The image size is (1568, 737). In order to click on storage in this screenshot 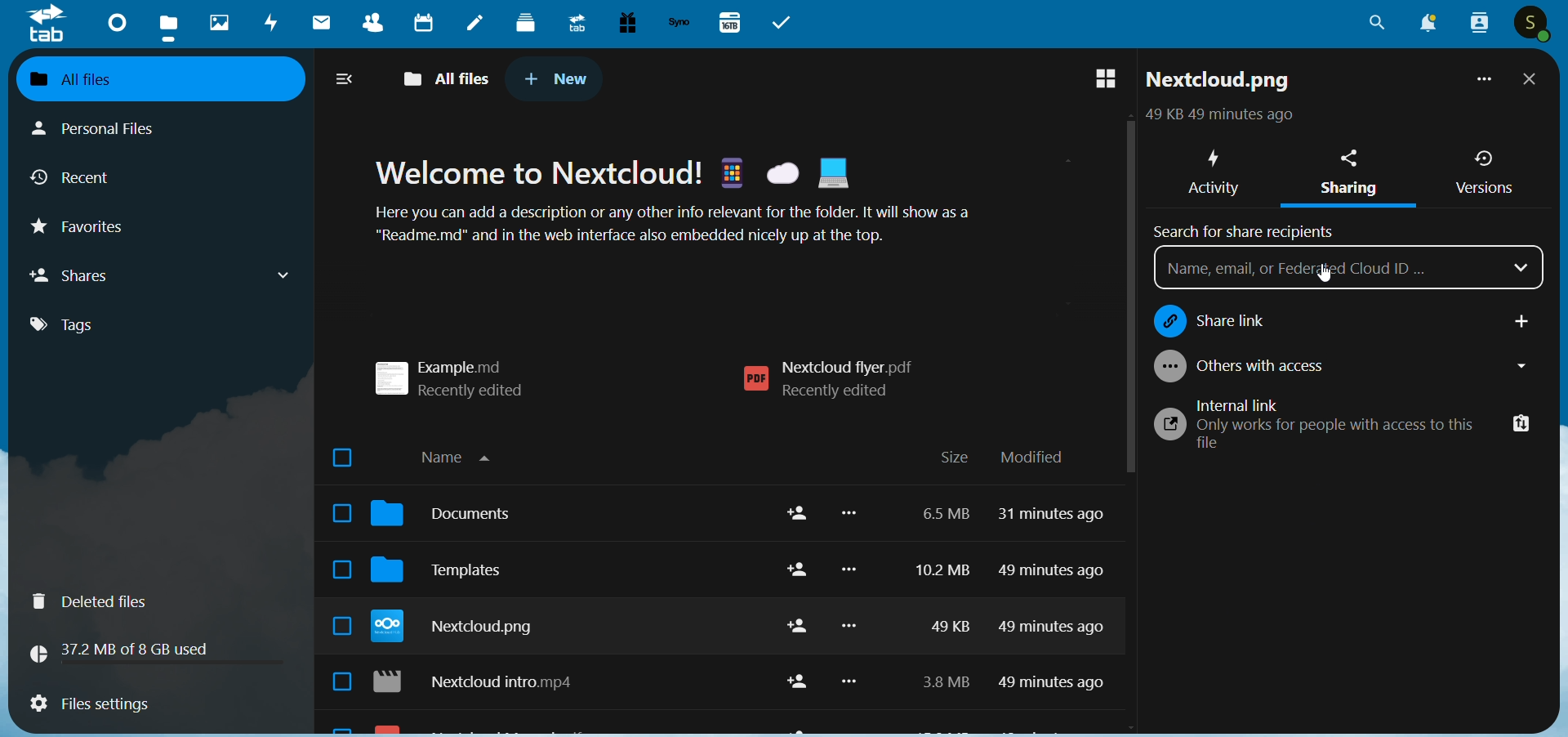, I will do `click(127, 650)`.